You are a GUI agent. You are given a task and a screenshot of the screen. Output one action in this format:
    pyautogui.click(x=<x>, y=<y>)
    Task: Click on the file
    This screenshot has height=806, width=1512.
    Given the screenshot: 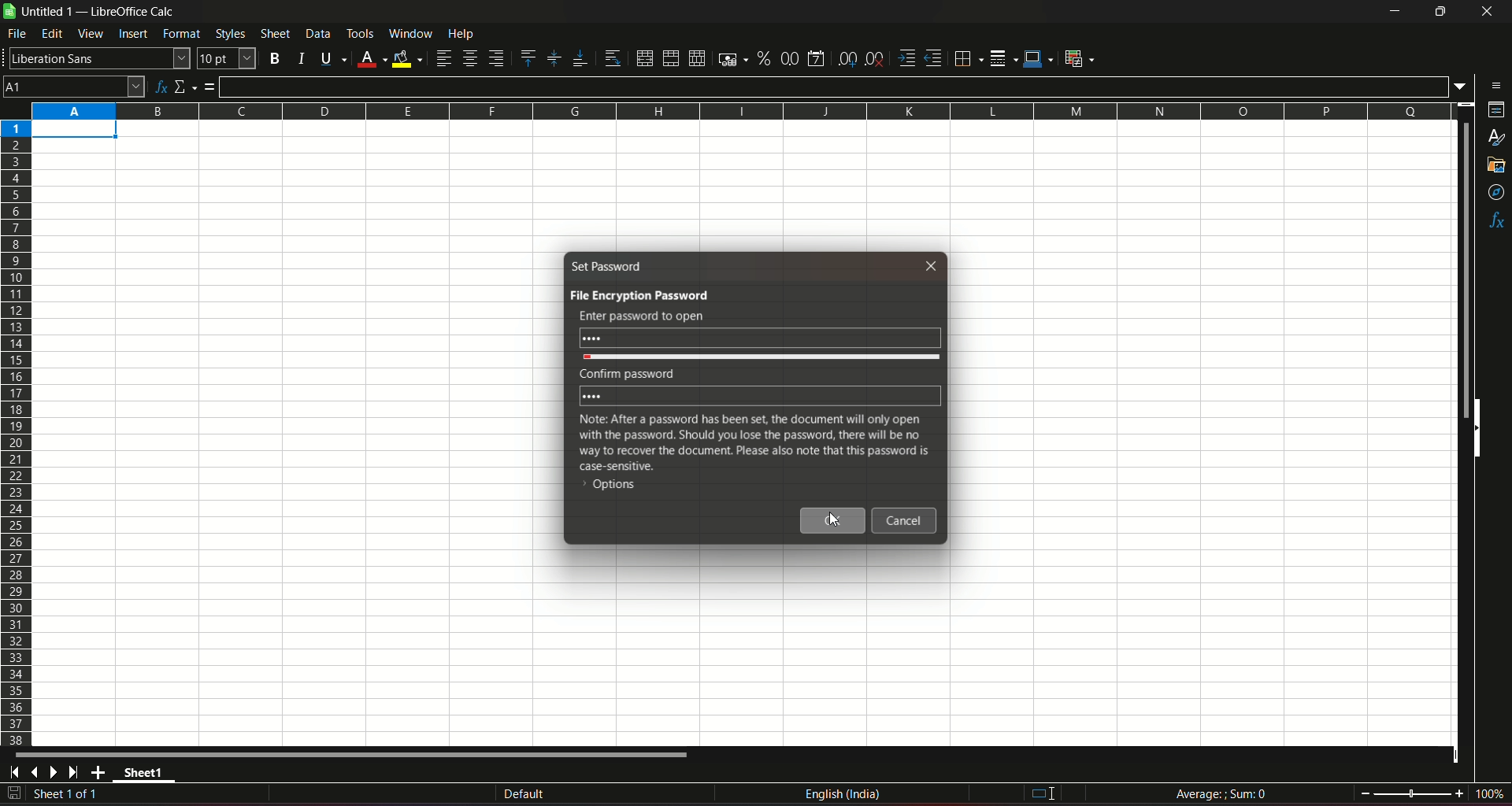 What is the action you would take?
    pyautogui.click(x=18, y=36)
    